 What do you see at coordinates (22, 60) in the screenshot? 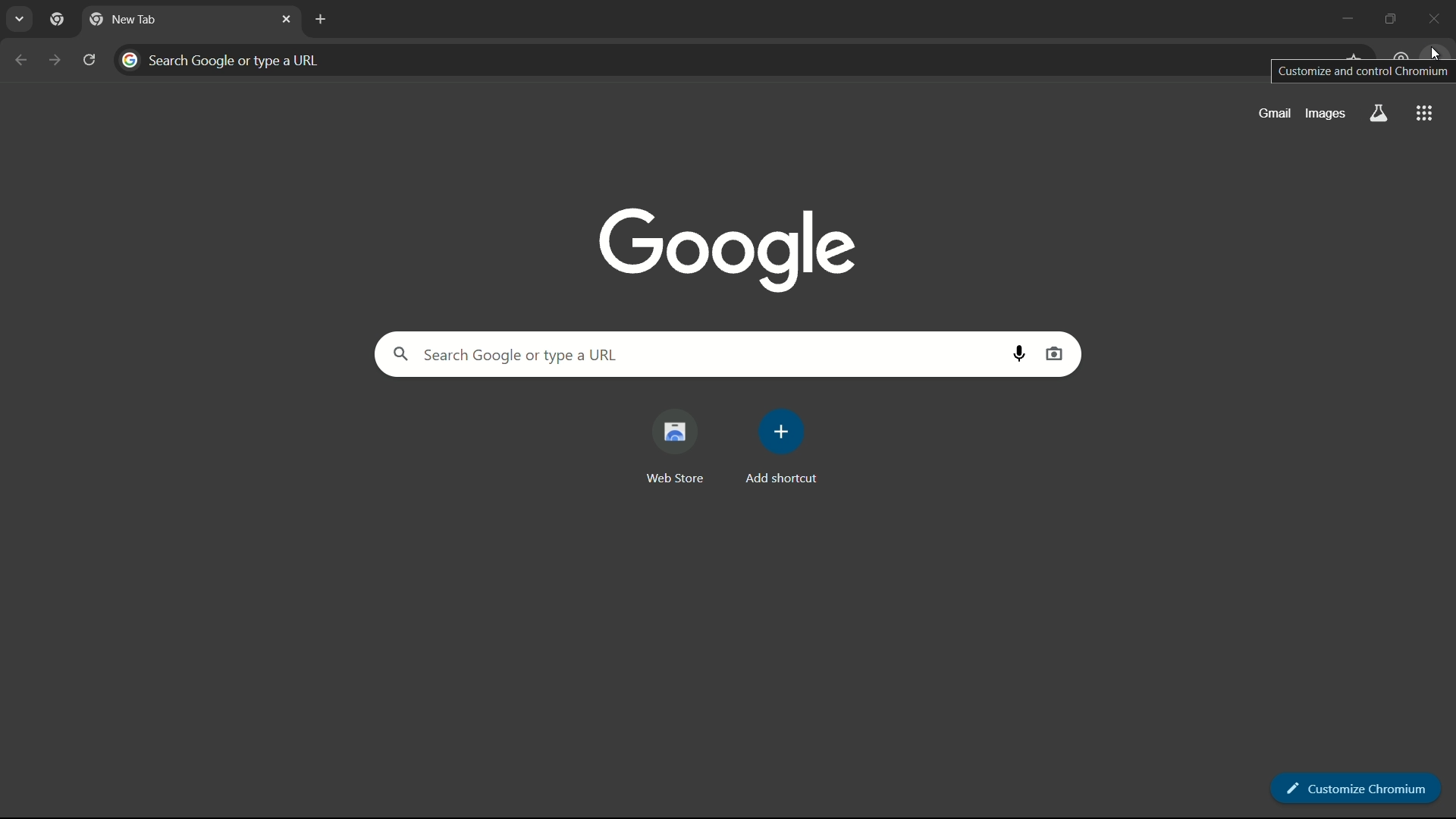
I see `back` at bounding box center [22, 60].